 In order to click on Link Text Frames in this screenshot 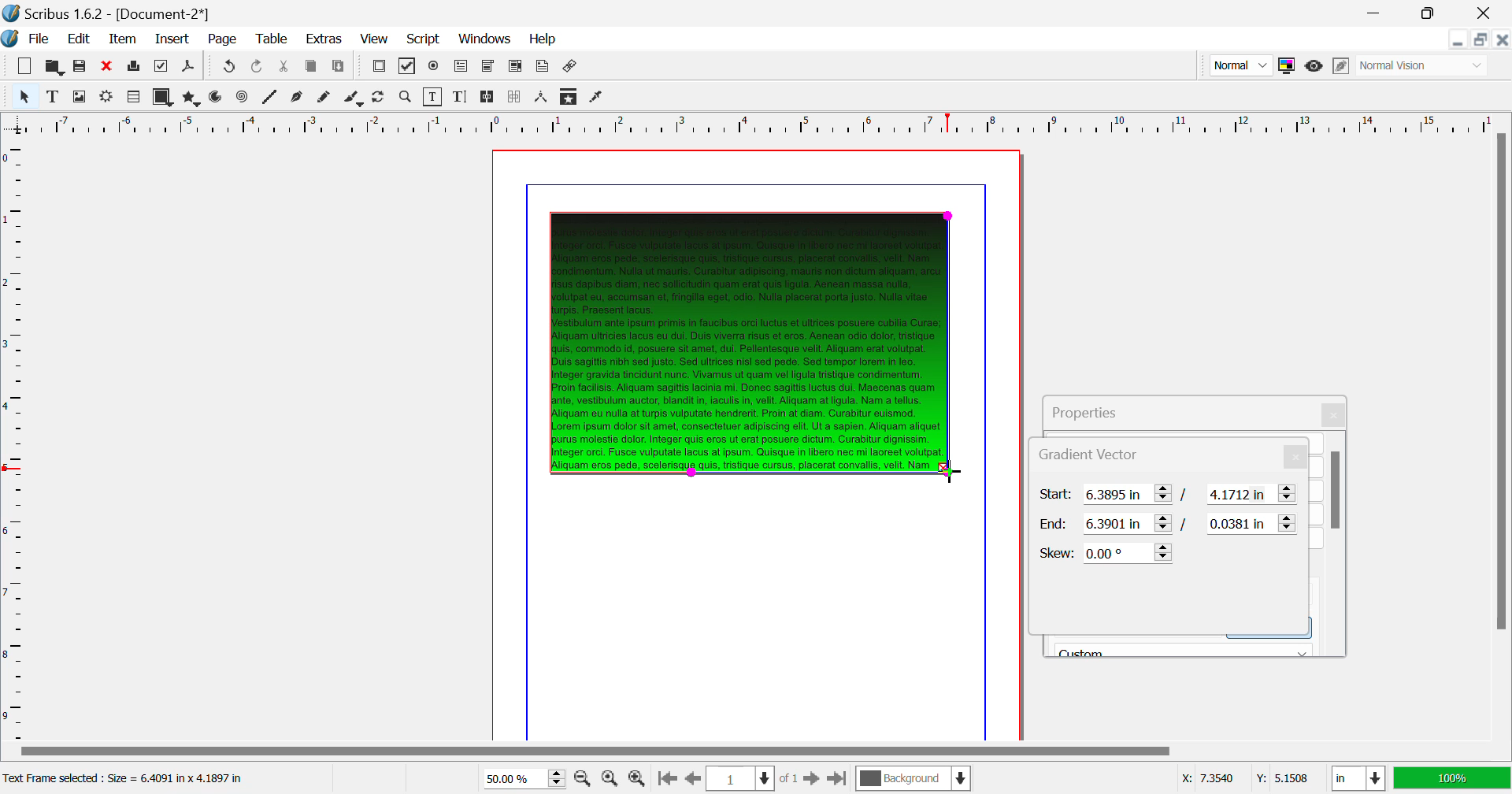, I will do `click(488, 98)`.